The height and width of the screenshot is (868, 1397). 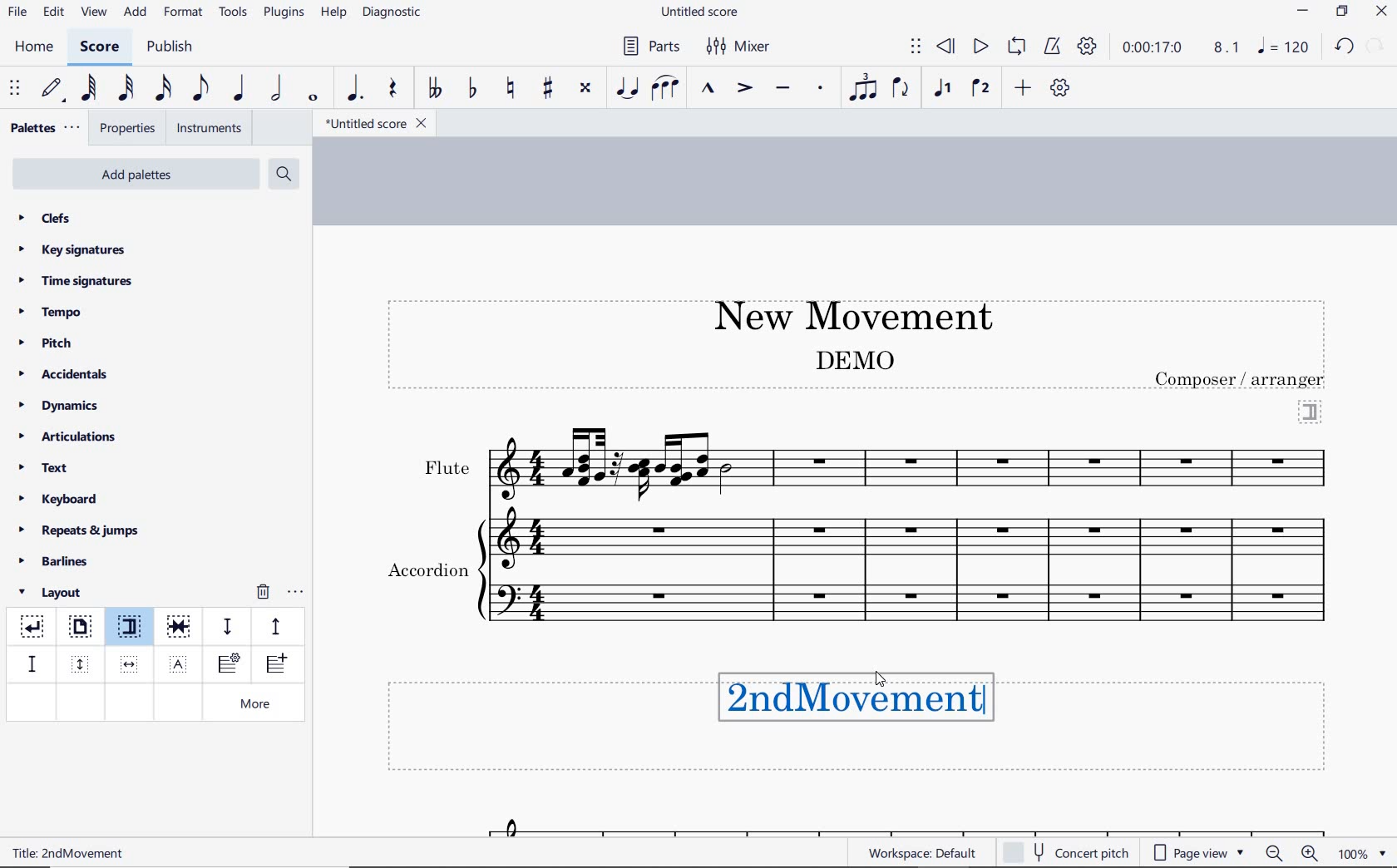 What do you see at coordinates (353, 89) in the screenshot?
I see `augmentation dot` at bounding box center [353, 89].